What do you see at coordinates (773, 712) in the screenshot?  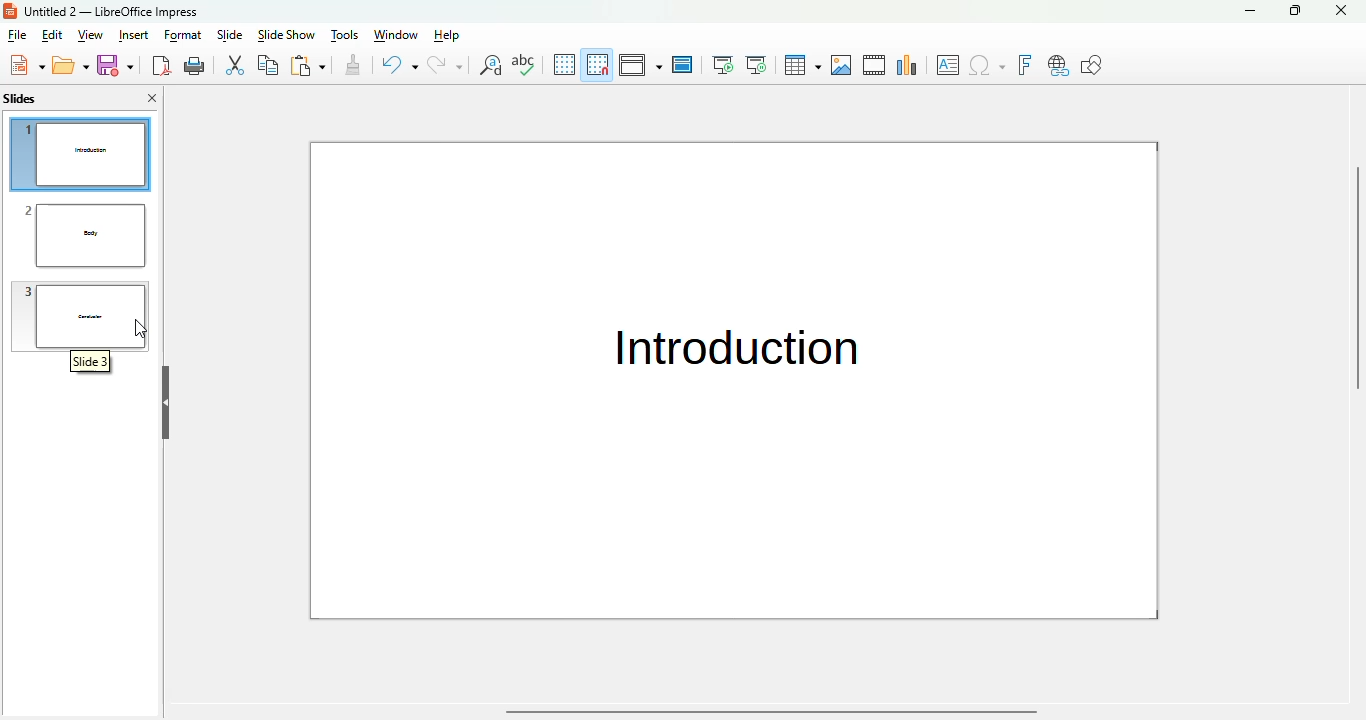 I see `horizontal scroll bar` at bounding box center [773, 712].